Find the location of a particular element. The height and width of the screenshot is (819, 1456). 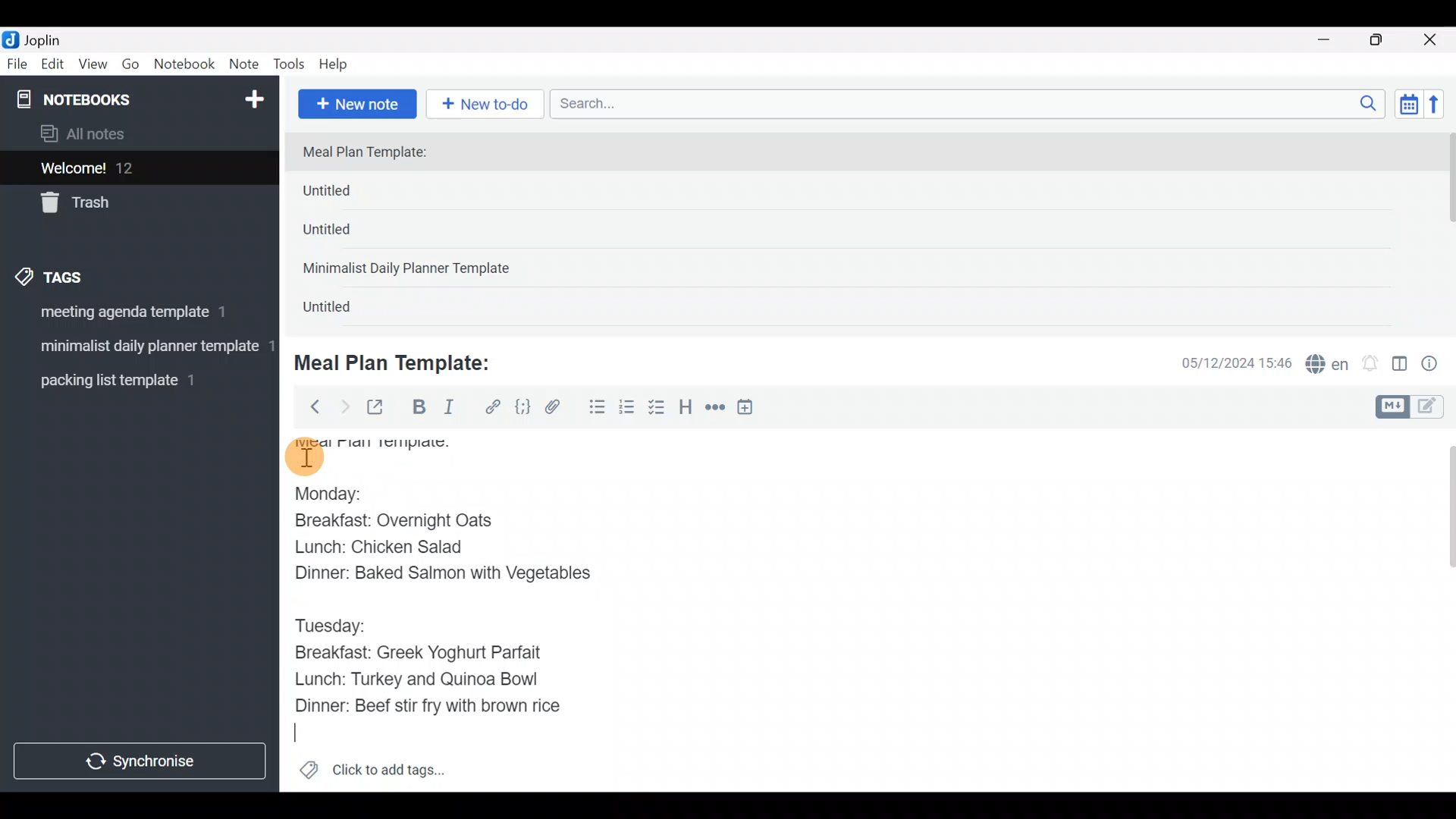

Date & time is located at coordinates (1225, 362).